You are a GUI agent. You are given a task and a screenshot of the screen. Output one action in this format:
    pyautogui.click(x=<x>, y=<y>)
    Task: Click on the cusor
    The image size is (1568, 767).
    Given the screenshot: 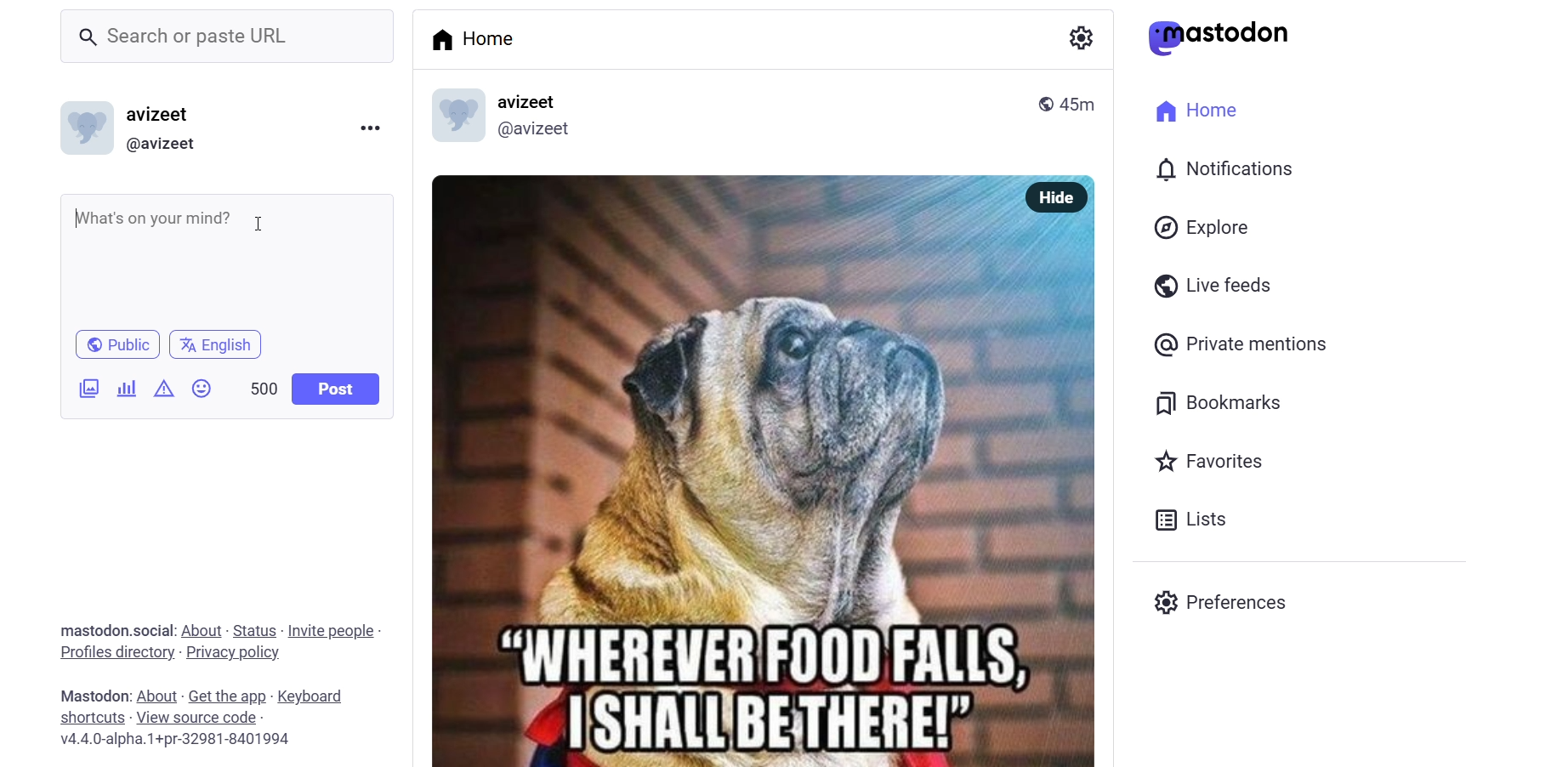 What is the action you would take?
    pyautogui.click(x=261, y=221)
    